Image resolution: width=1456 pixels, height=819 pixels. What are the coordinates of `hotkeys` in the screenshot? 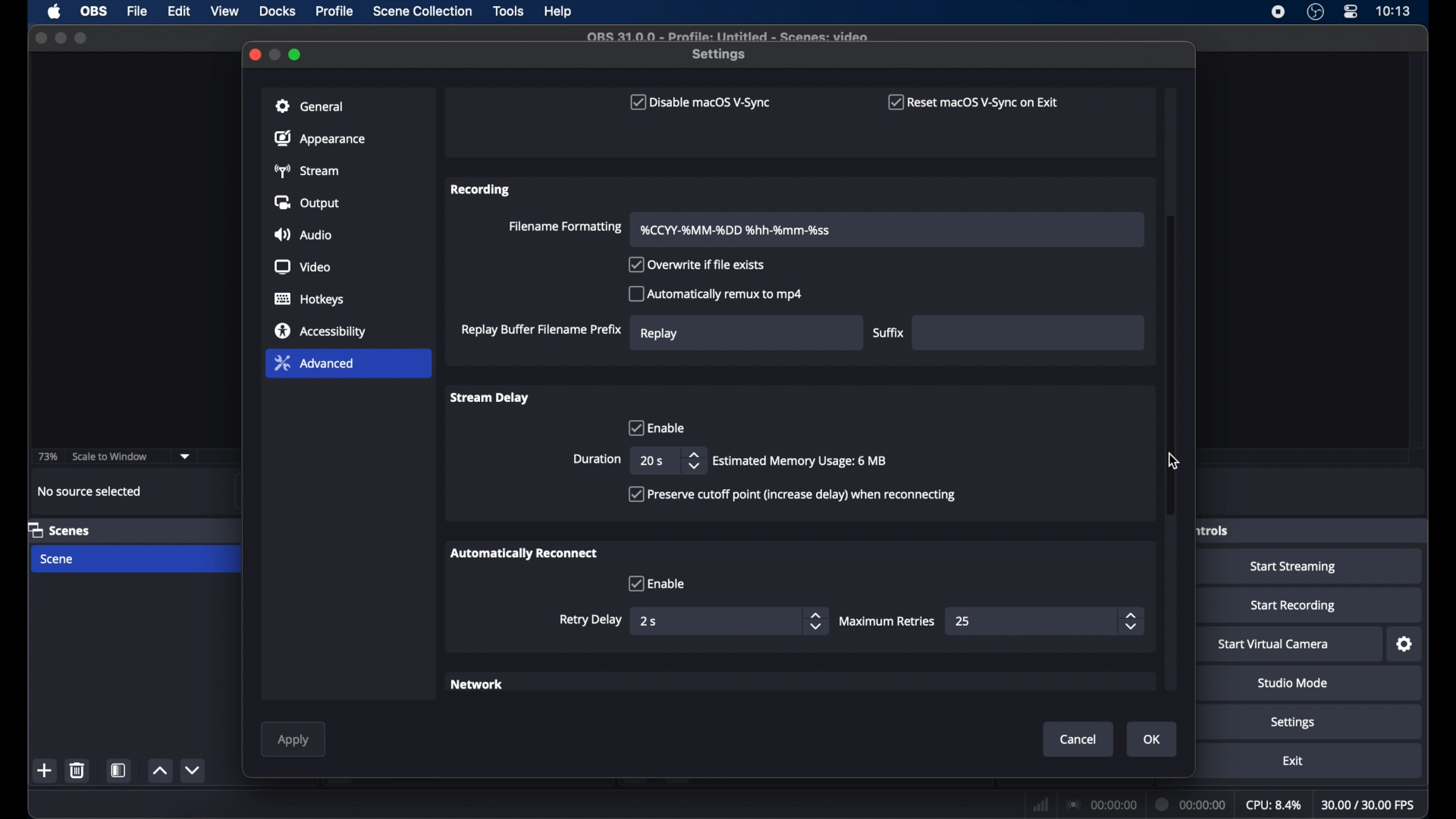 It's located at (310, 300).